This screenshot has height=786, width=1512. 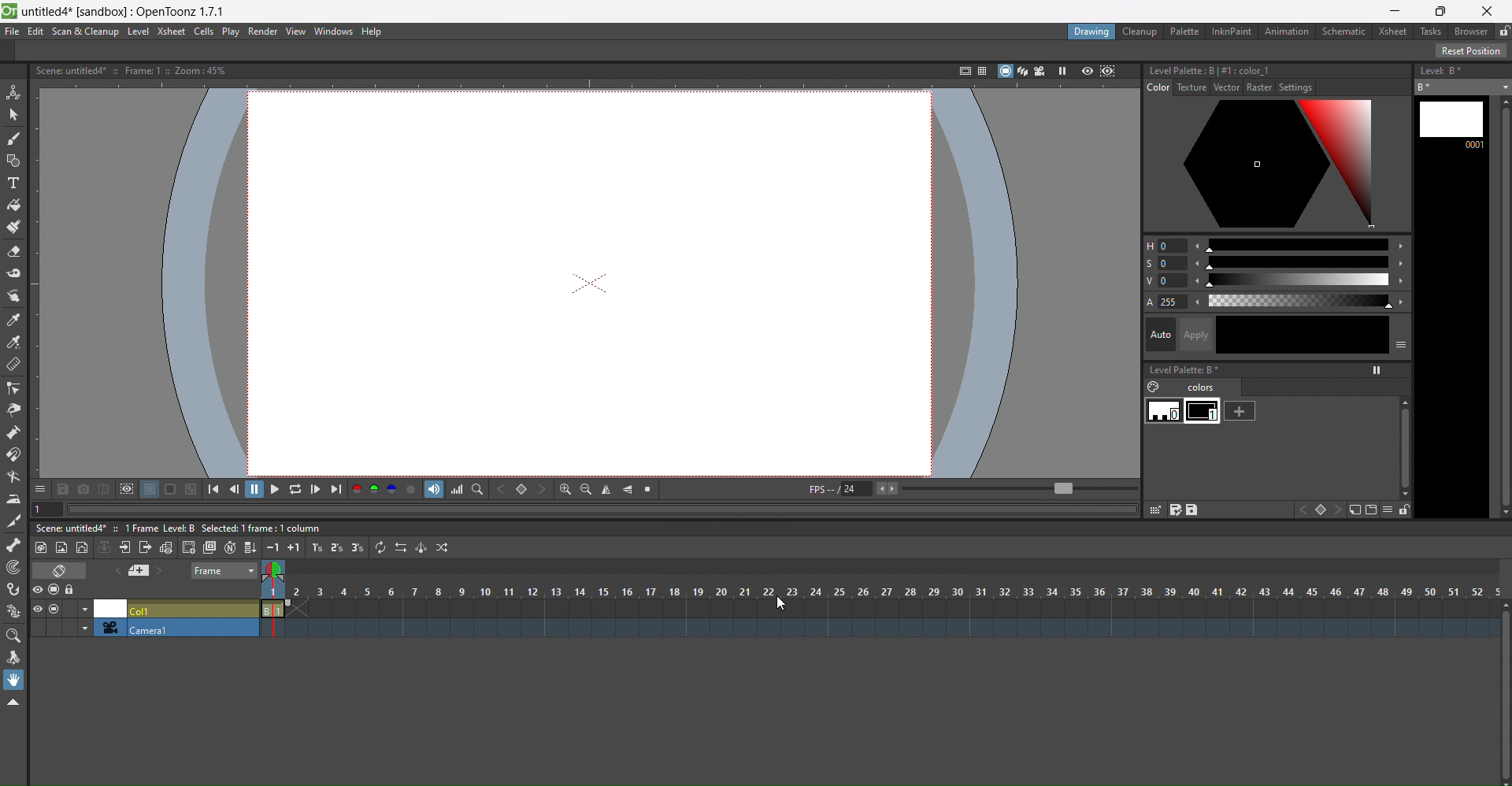 I want to click on duplicate drawing, so click(x=209, y=548).